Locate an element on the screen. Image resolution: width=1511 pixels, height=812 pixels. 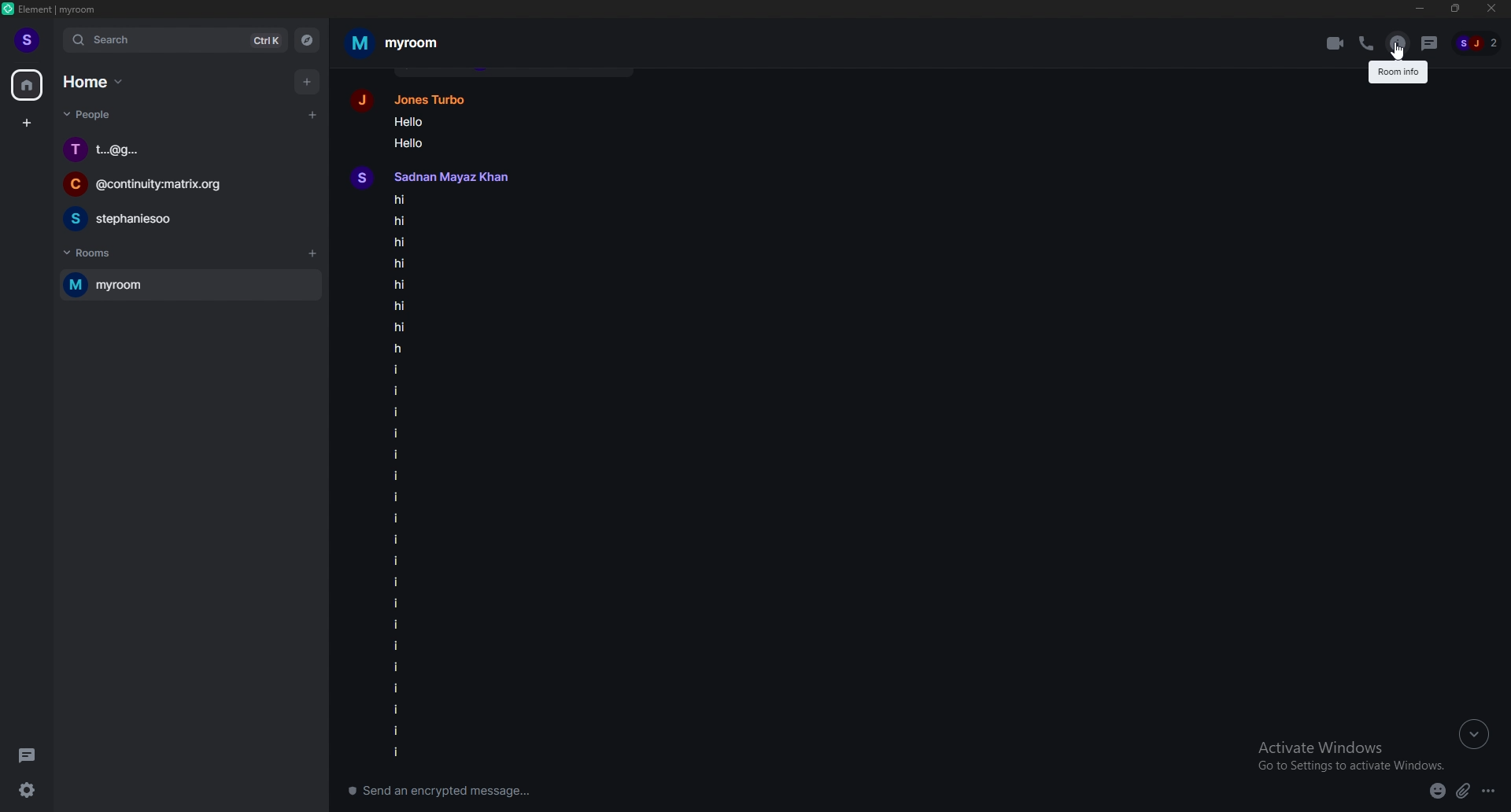
close is located at coordinates (1491, 9).